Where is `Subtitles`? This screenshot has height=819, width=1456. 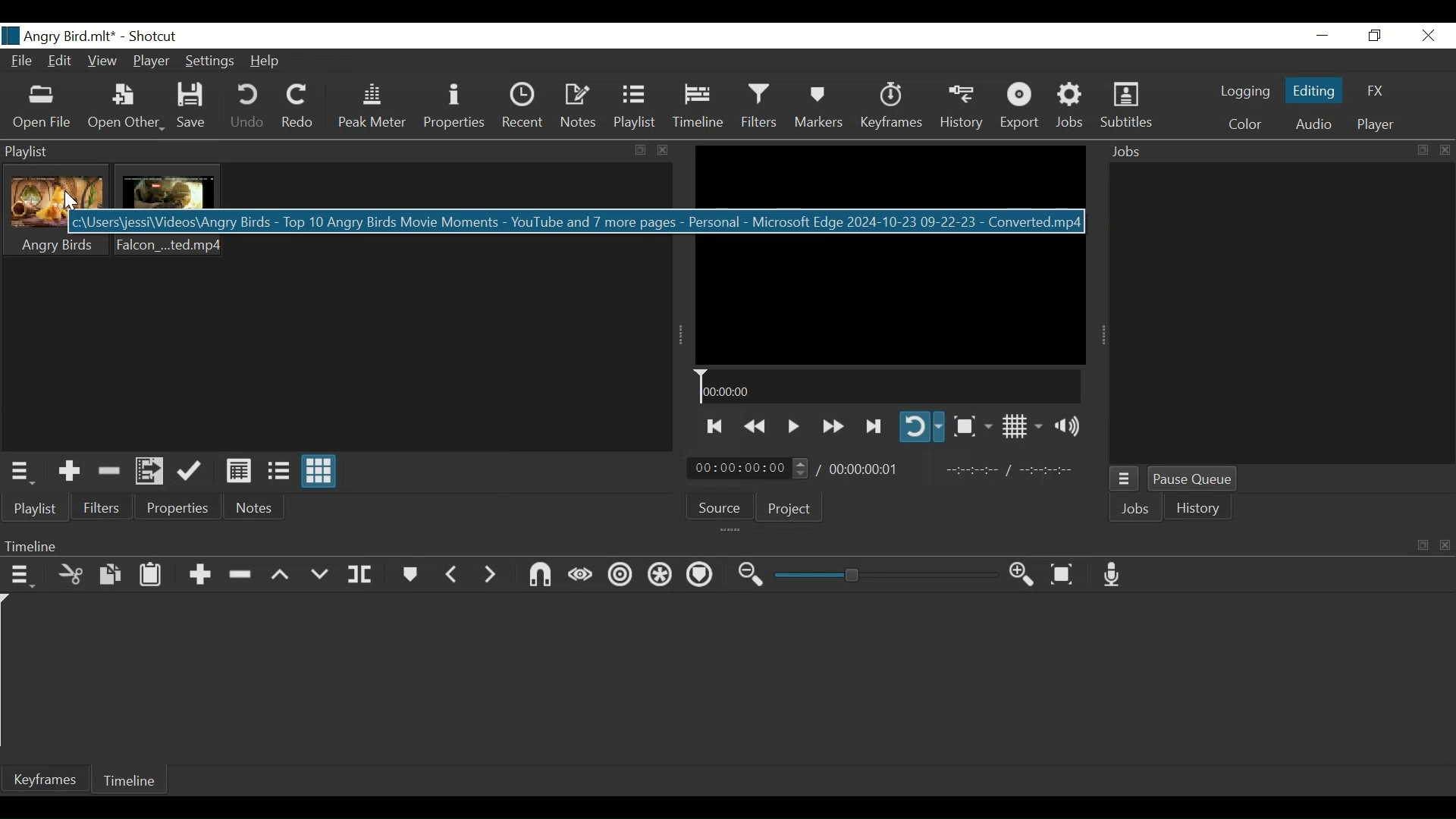
Subtitles is located at coordinates (1128, 107).